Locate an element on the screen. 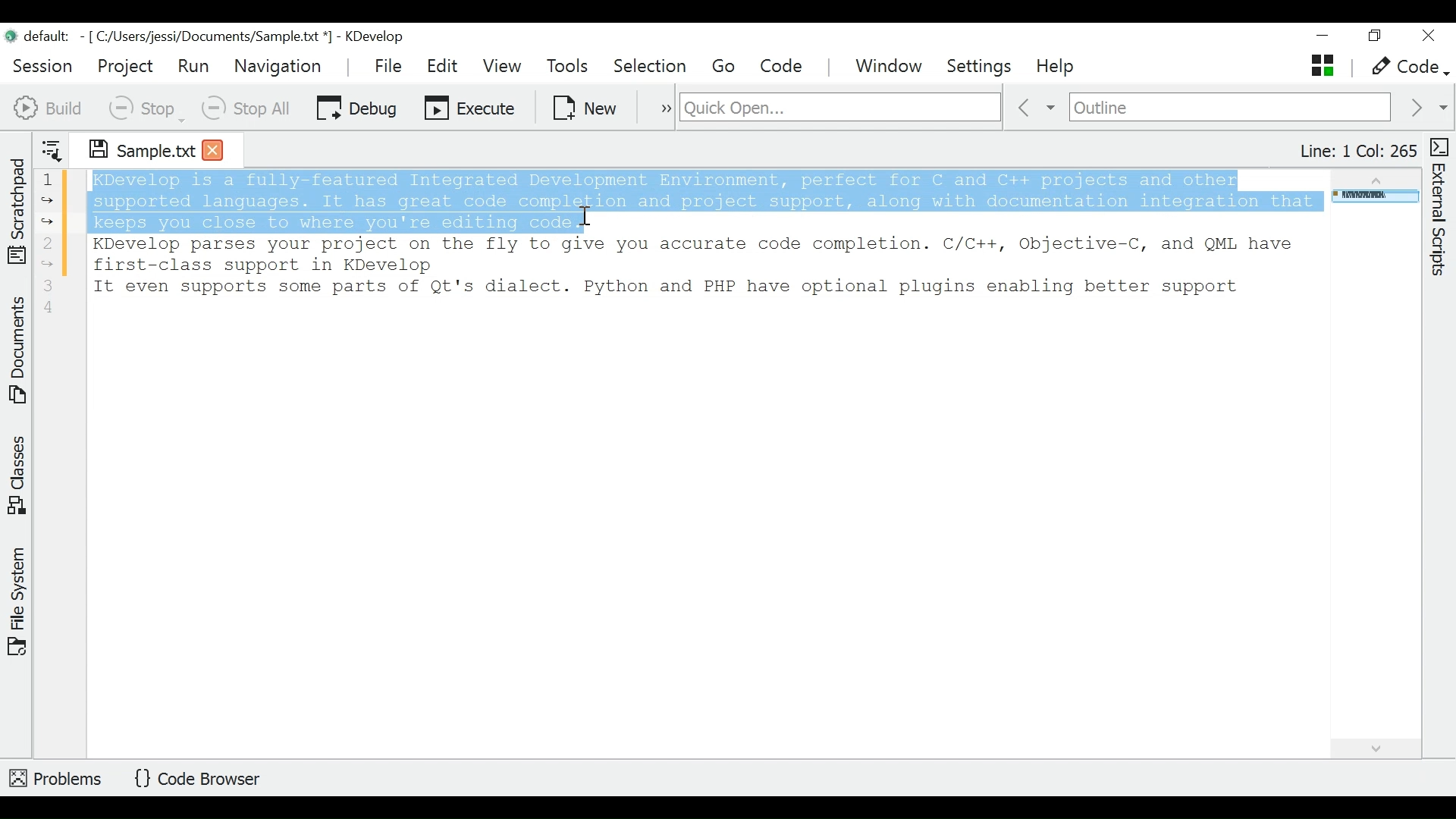 The height and width of the screenshot is (819, 1456). Close tab is located at coordinates (213, 149).